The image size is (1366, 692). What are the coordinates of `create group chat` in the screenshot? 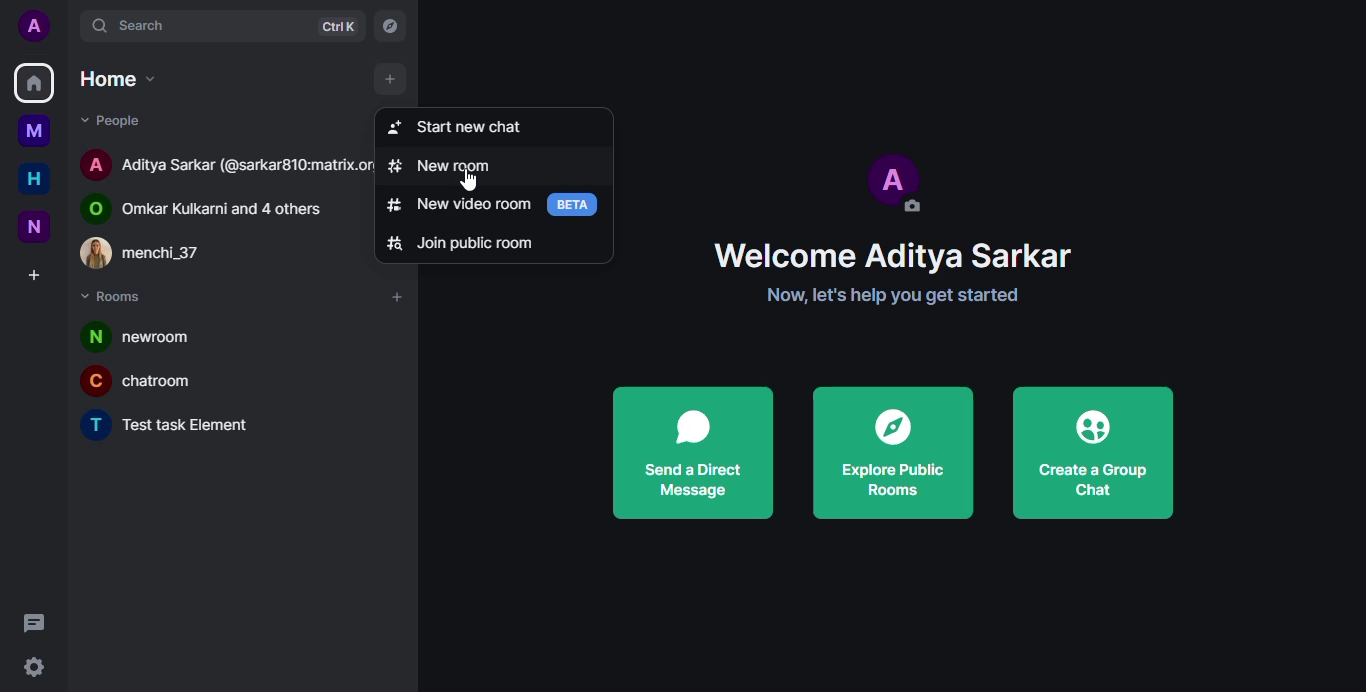 It's located at (1091, 452).